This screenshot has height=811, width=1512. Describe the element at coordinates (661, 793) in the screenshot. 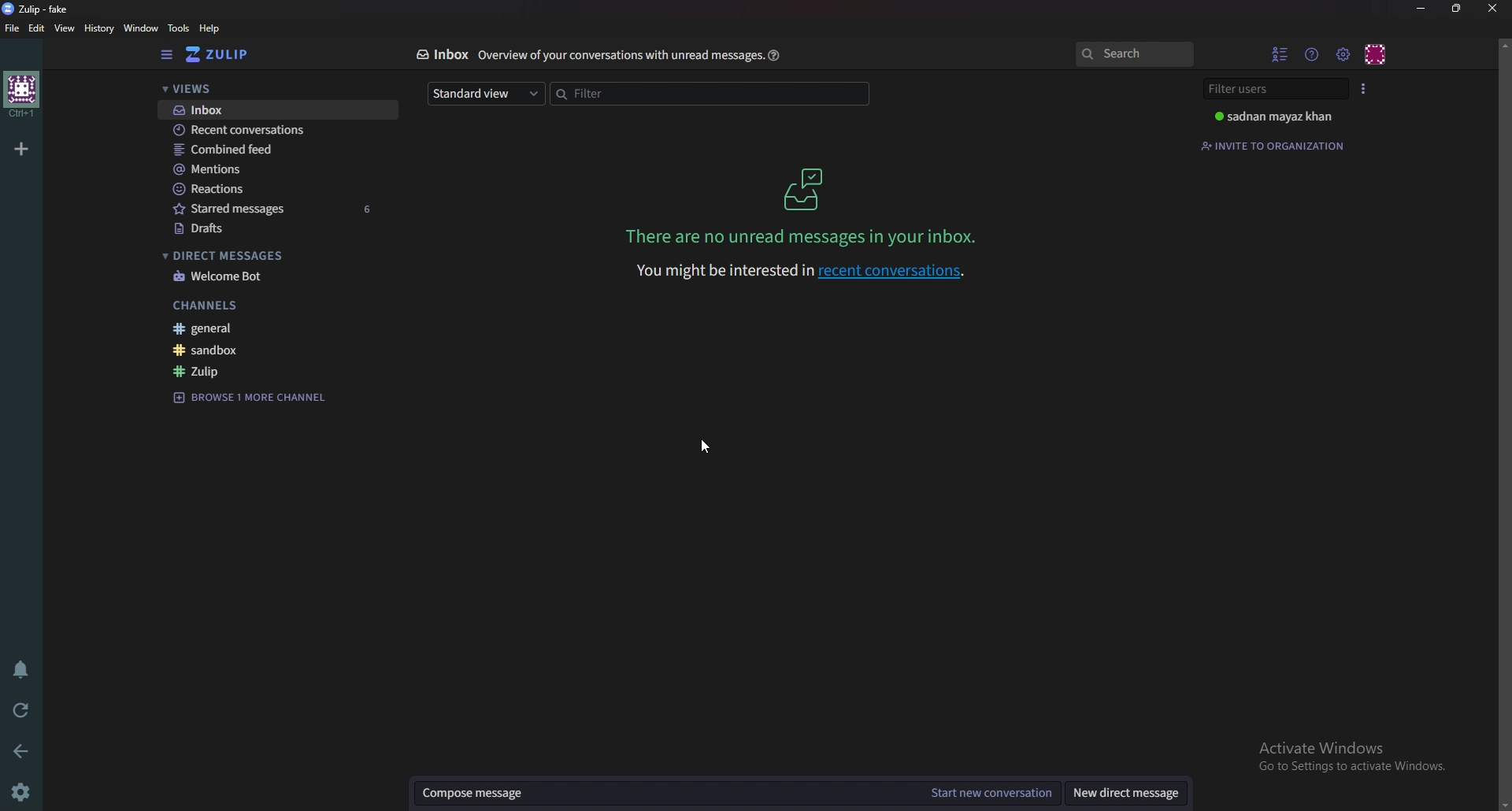

I see `Compose message` at that location.